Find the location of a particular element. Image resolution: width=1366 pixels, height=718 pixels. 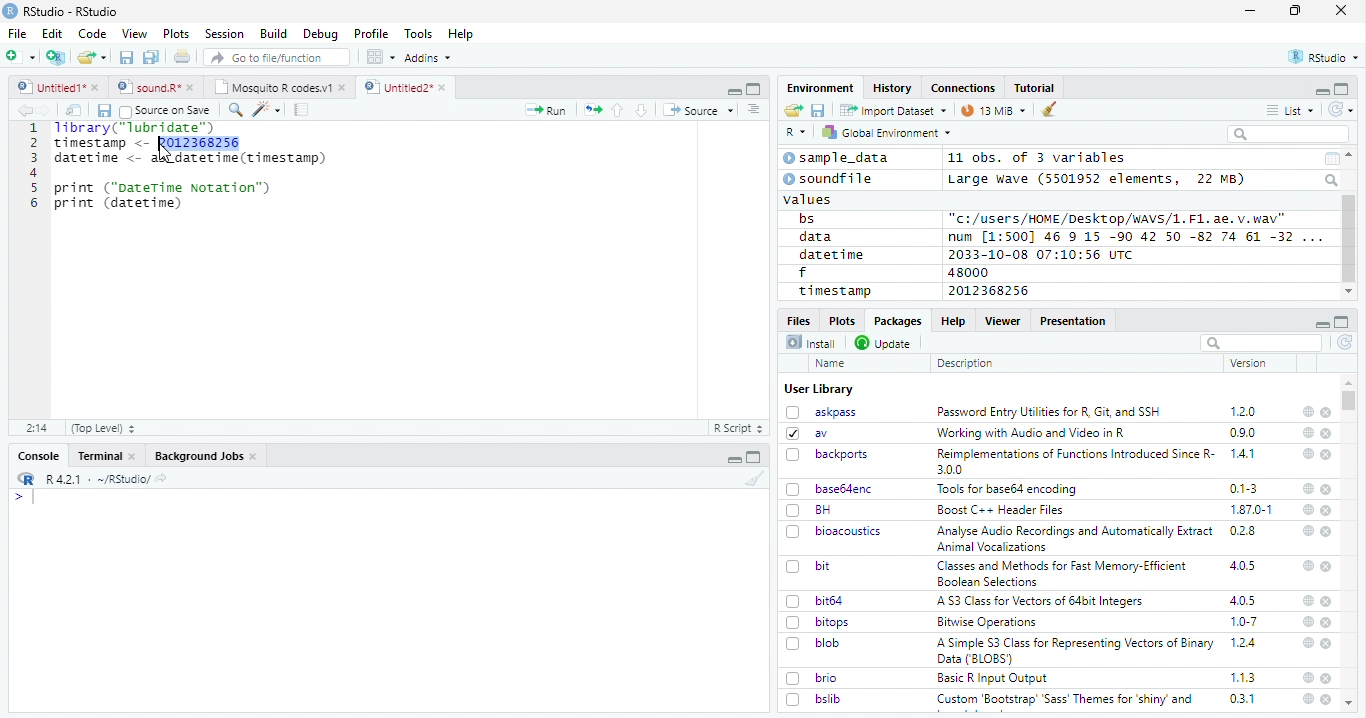

Debug is located at coordinates (321, 34).